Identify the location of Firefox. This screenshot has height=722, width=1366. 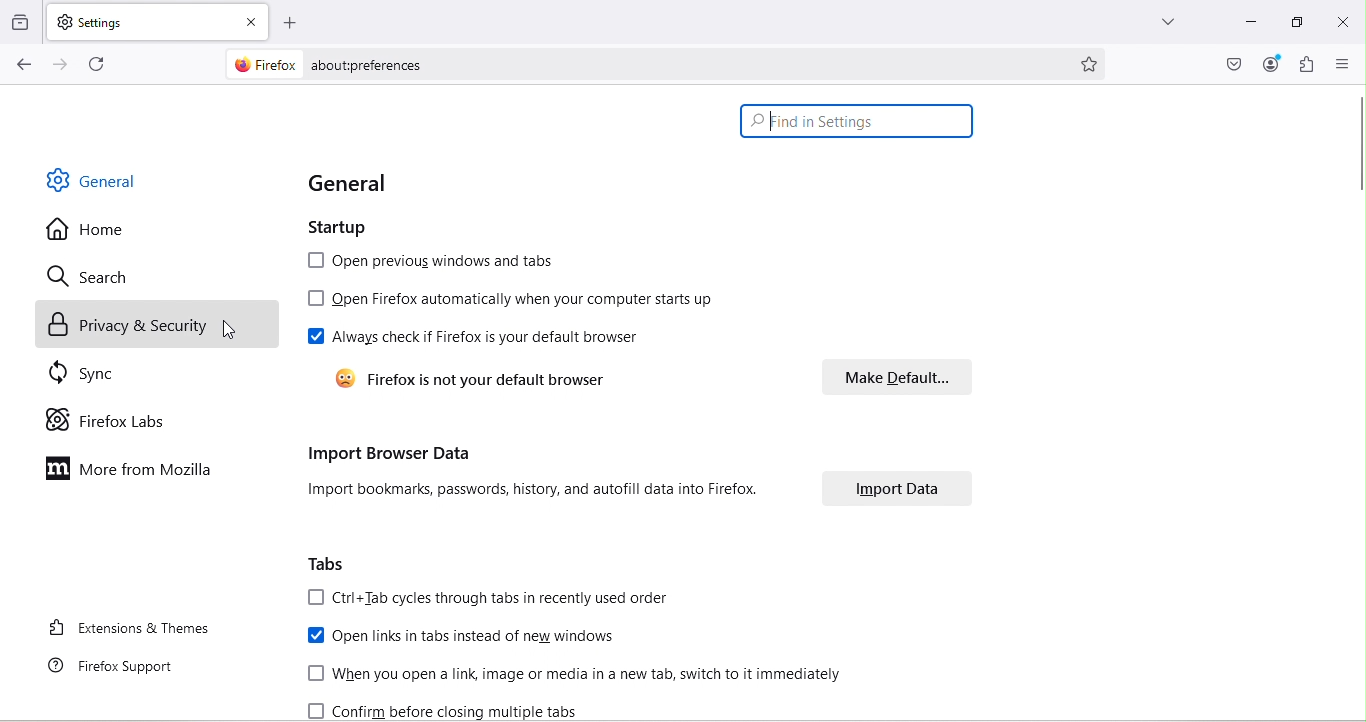
(261, 66).